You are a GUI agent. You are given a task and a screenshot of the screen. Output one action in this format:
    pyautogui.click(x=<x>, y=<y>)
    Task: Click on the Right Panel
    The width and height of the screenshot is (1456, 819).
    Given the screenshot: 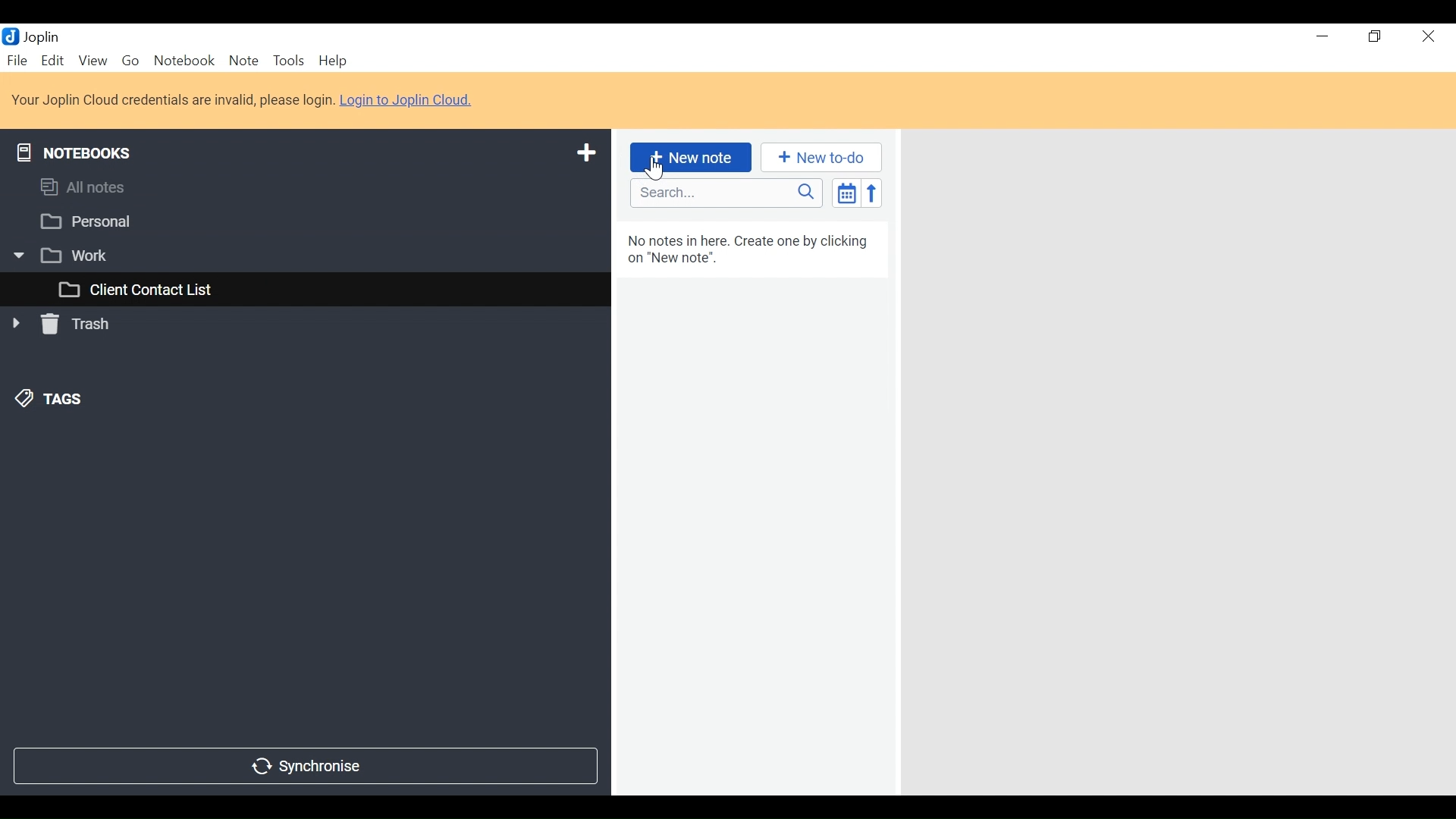 What is the action you would take?
    pyautogui.click(x=1182, y=467)
    